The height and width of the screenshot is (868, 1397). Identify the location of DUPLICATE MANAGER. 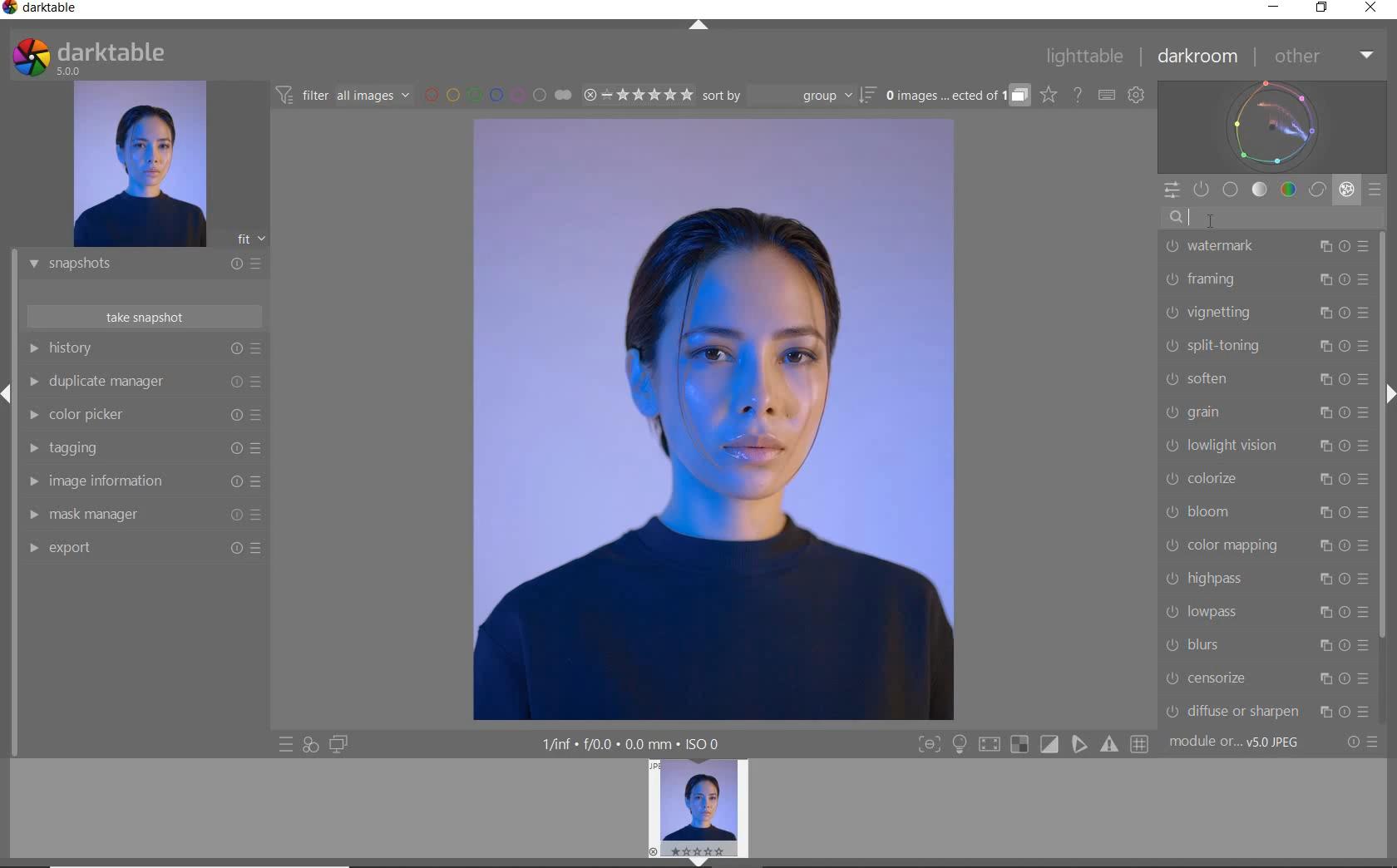
(146, 382).